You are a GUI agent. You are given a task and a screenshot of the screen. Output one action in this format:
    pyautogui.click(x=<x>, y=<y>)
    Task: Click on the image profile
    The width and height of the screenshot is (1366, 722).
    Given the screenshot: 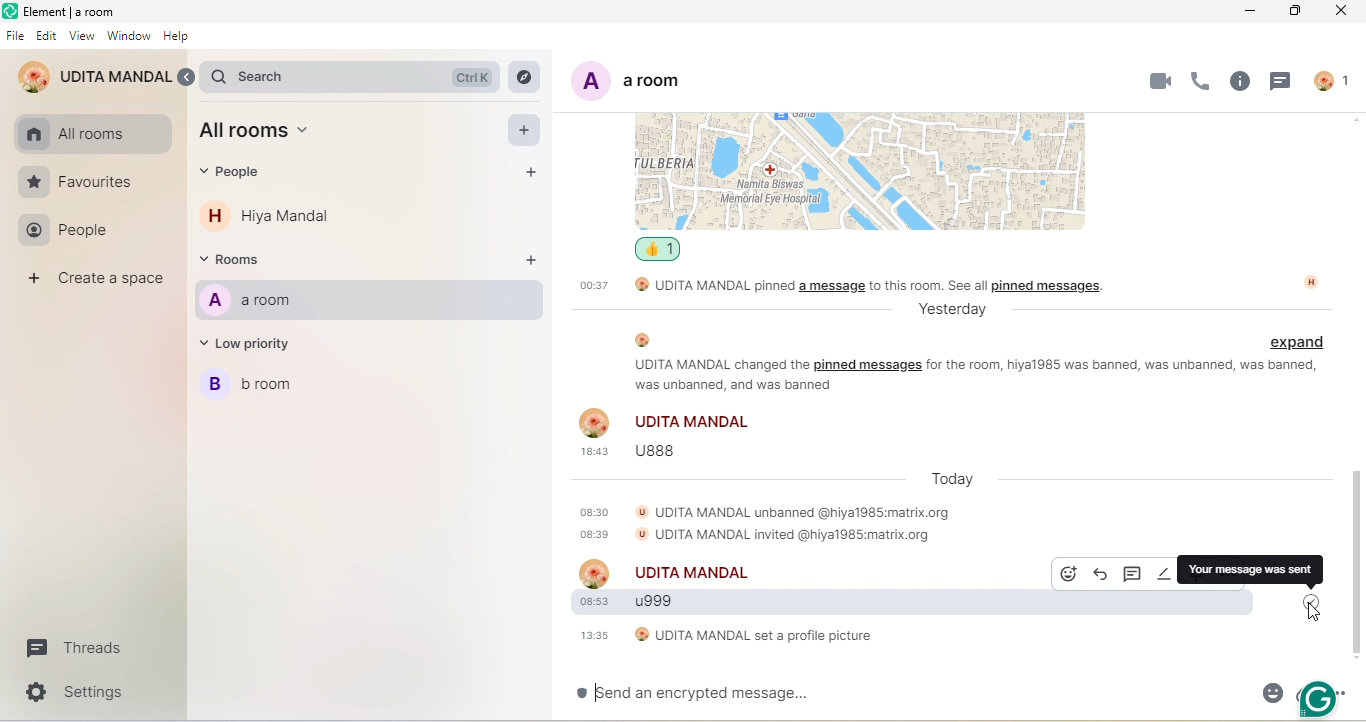 What is the action you would take?
    pyautogui.click(x=1311, y=282)
    